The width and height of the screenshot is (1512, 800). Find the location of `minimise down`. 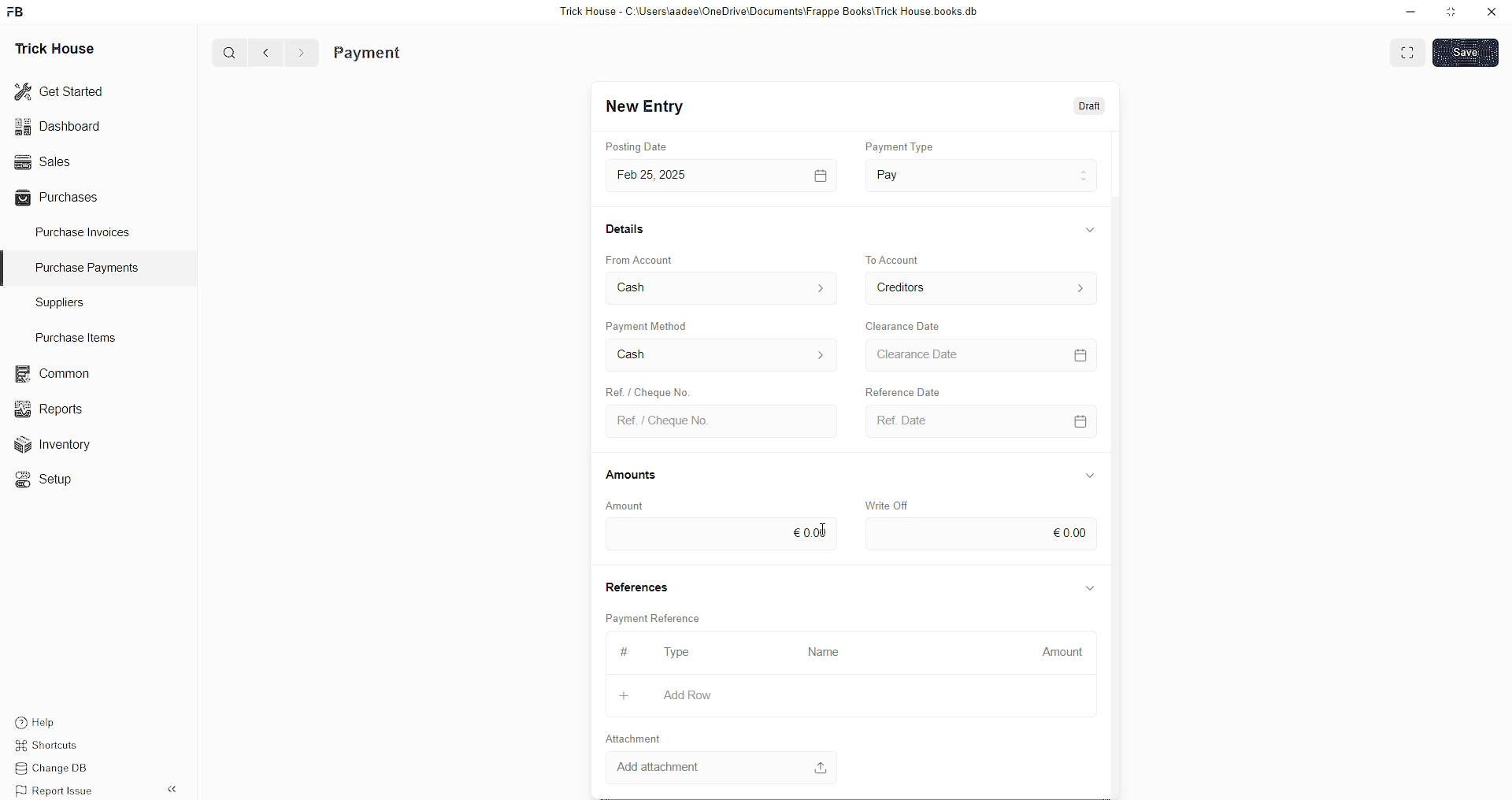

minimise down is located at coordinates (1408, 12).